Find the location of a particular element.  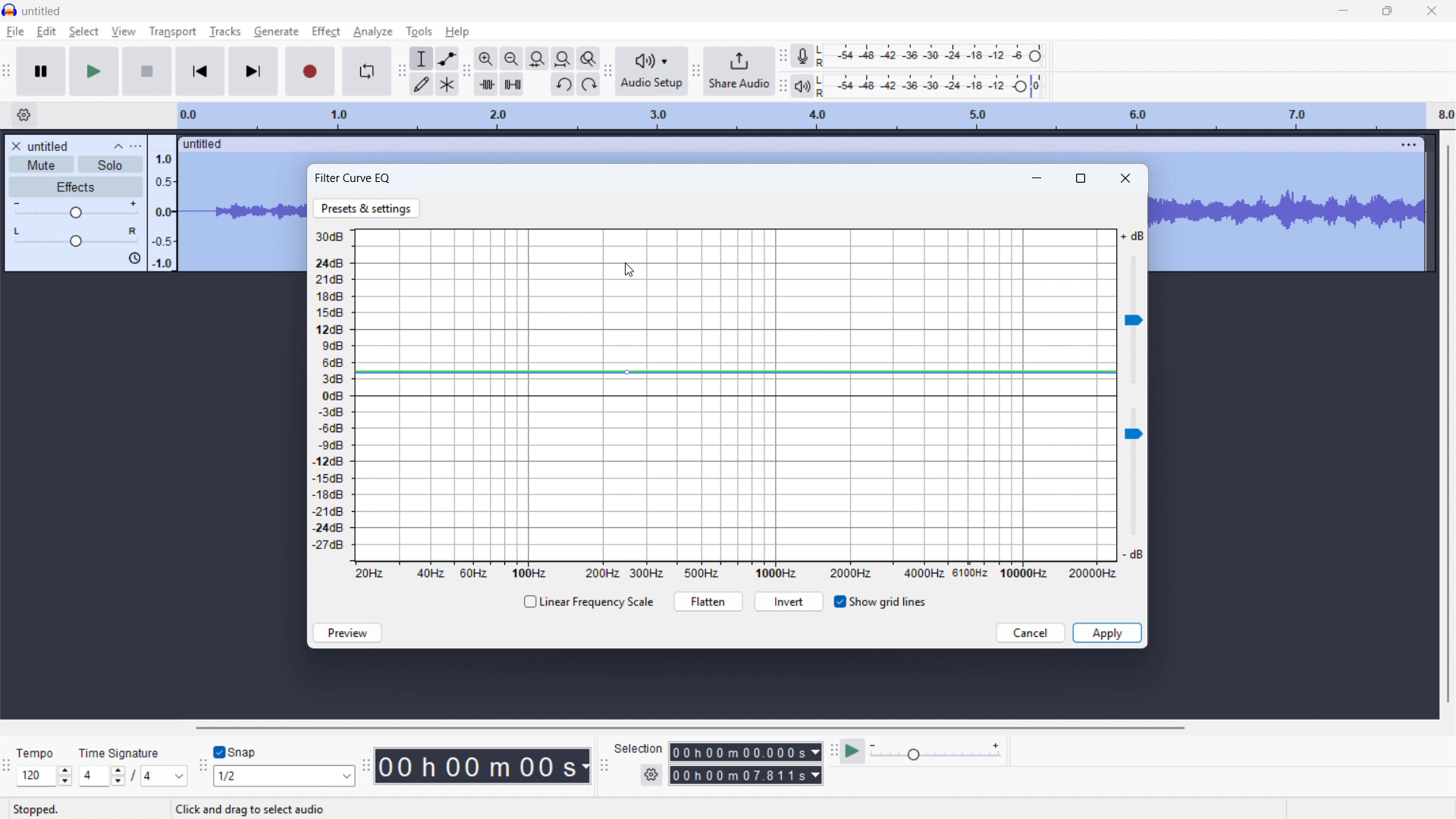

collapse is located at coordinates (118, 146).